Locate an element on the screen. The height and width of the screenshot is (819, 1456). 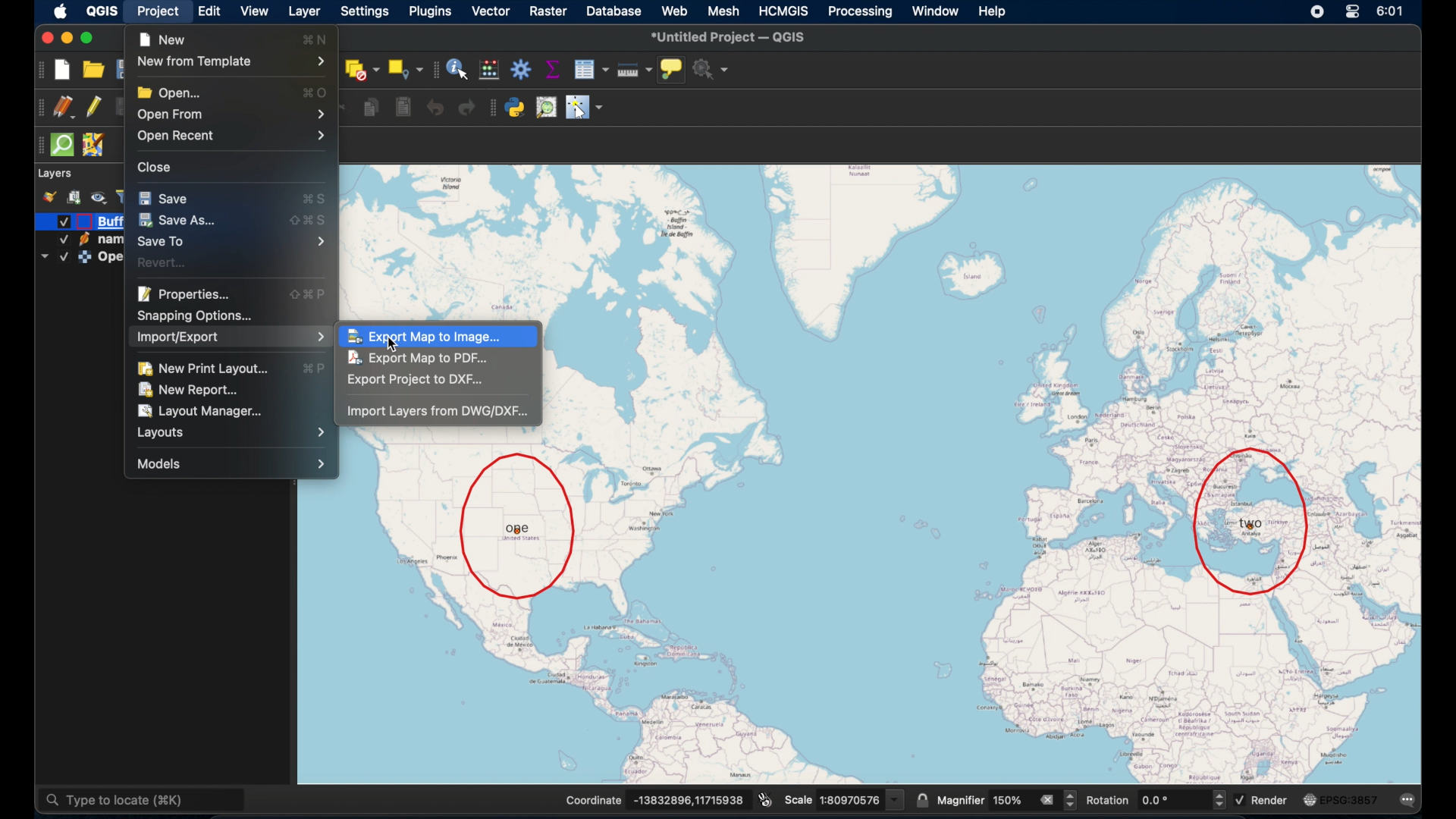
rotation is located at coordinates (1107, 801).